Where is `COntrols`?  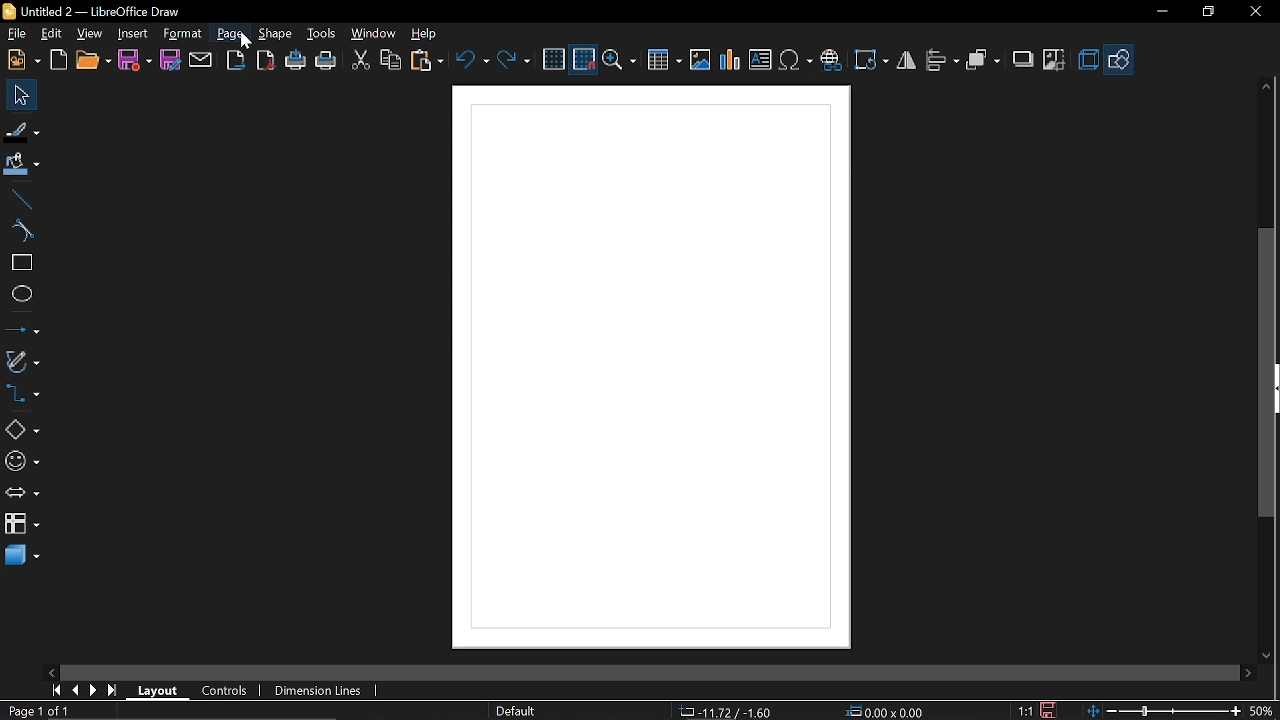 COntrols is located at coordinates (230, 690).